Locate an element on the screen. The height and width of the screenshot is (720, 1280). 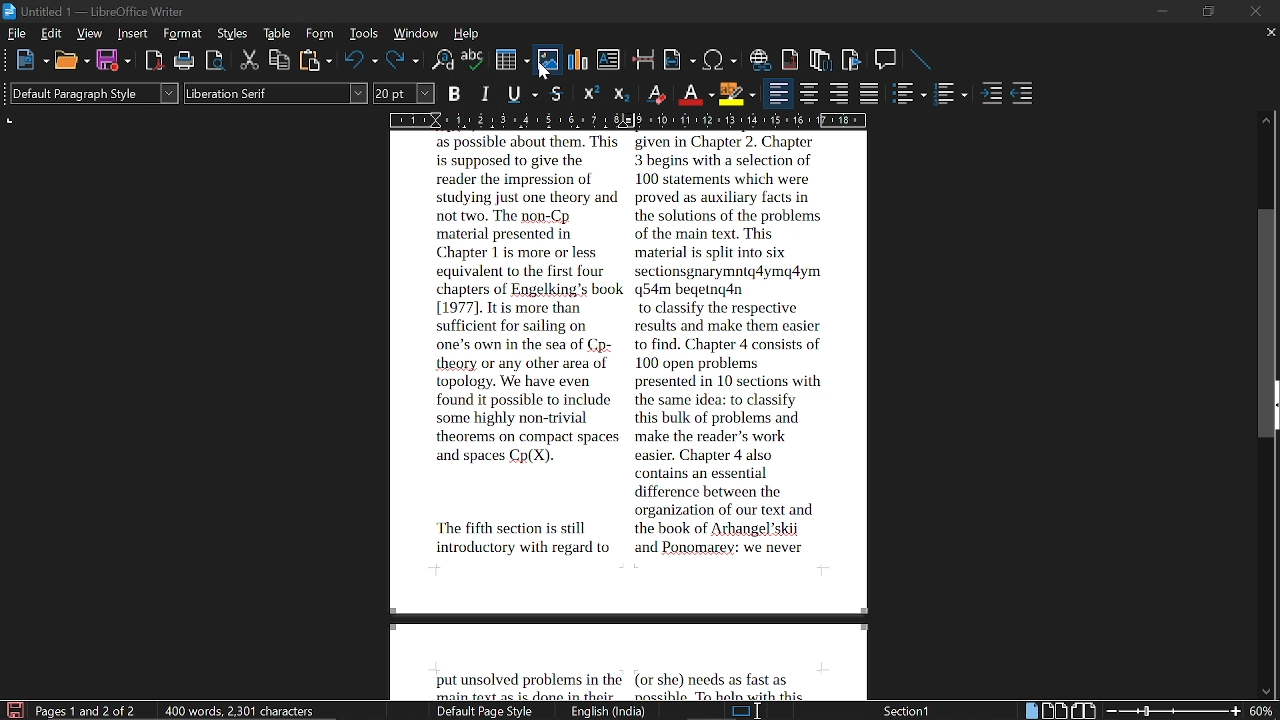
file is located at coordinates (14, 33).